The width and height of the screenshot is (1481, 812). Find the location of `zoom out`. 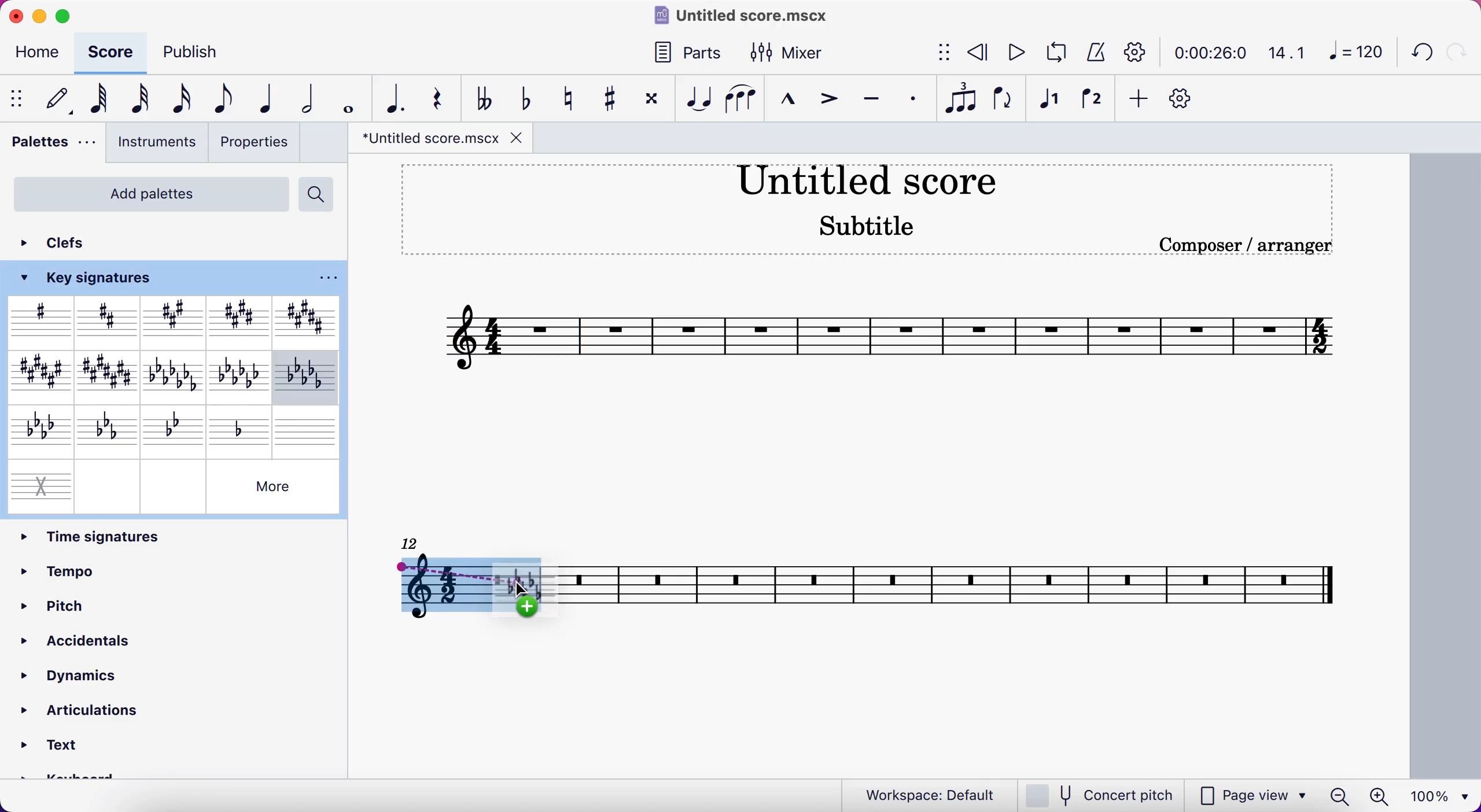

zoom out is located at coordinates (1339, 796).